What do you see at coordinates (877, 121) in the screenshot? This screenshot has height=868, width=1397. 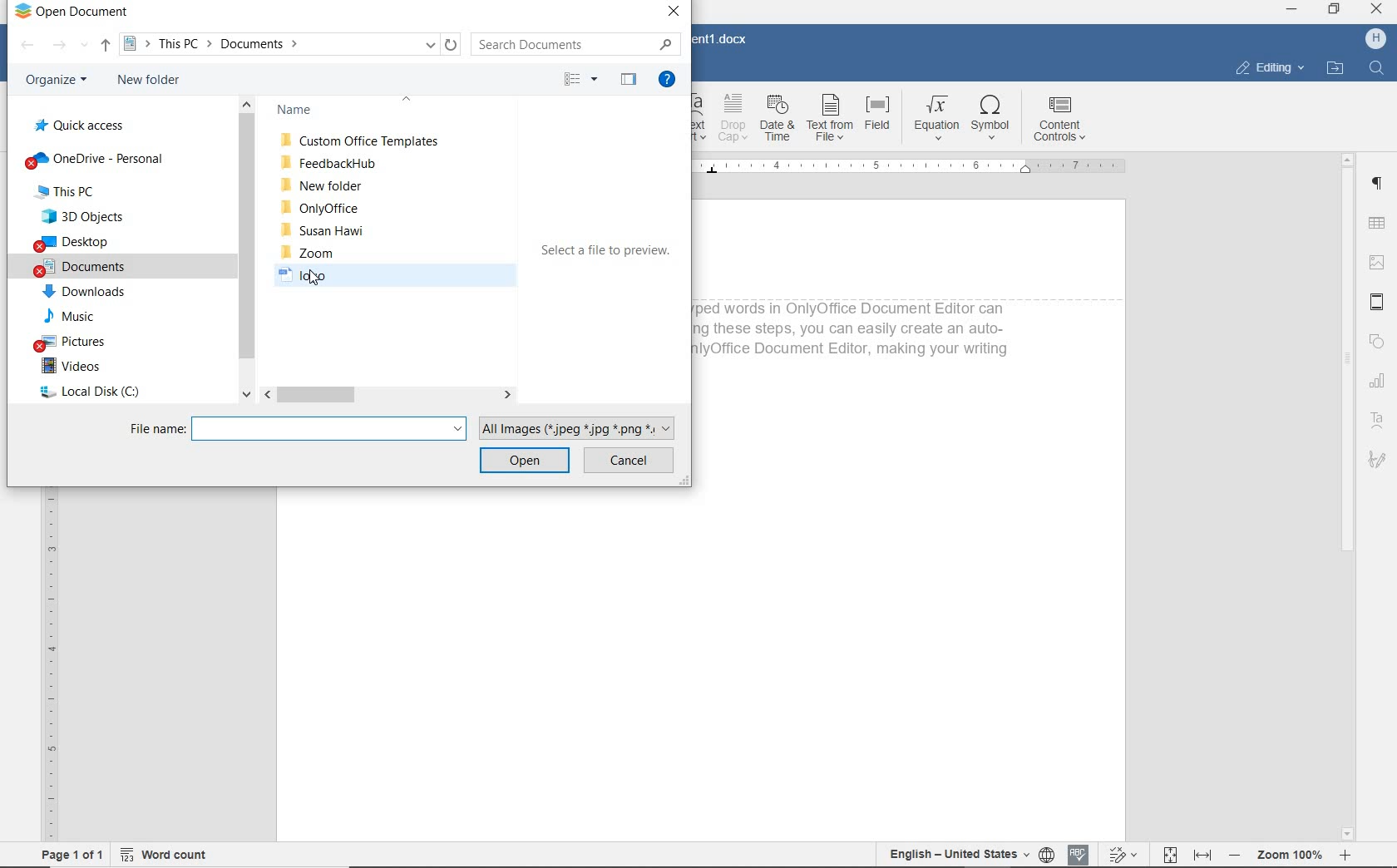 I see `FIELD` at bounding box center [877, 121].